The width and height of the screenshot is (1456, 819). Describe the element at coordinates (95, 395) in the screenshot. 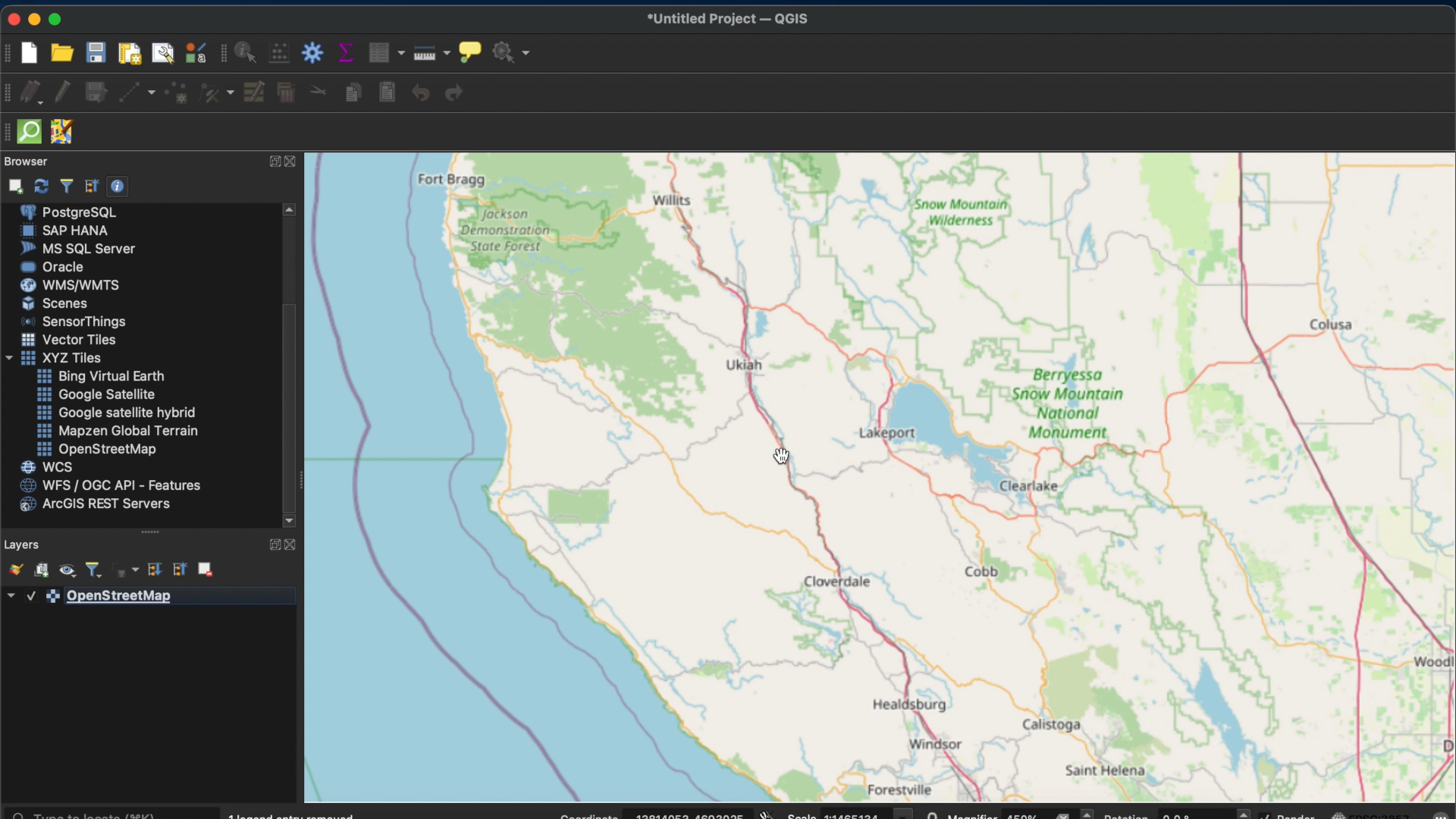

I see `google satellite` at that location.